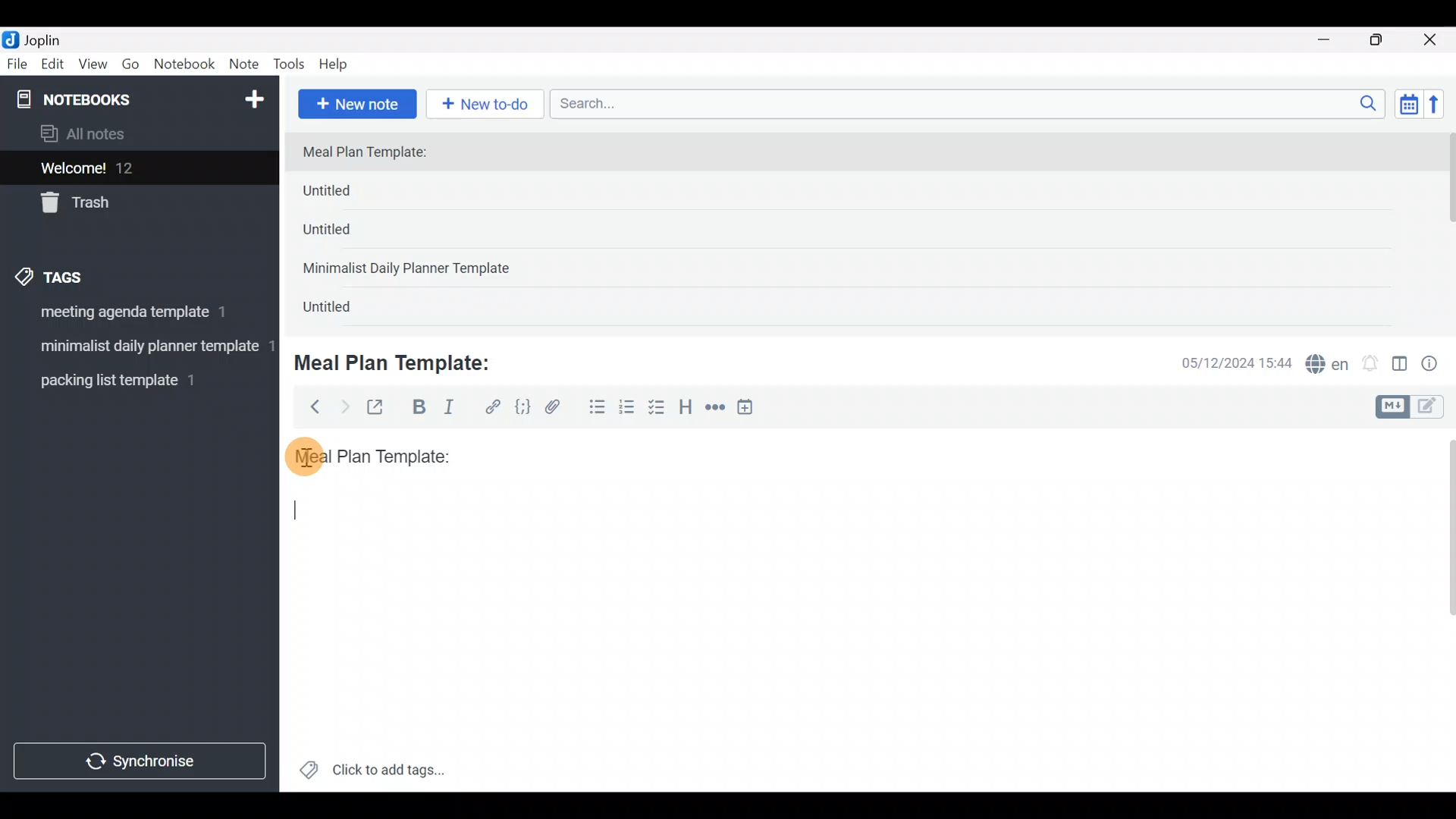  I want to click on Reverse sort, so click(1442, 108).